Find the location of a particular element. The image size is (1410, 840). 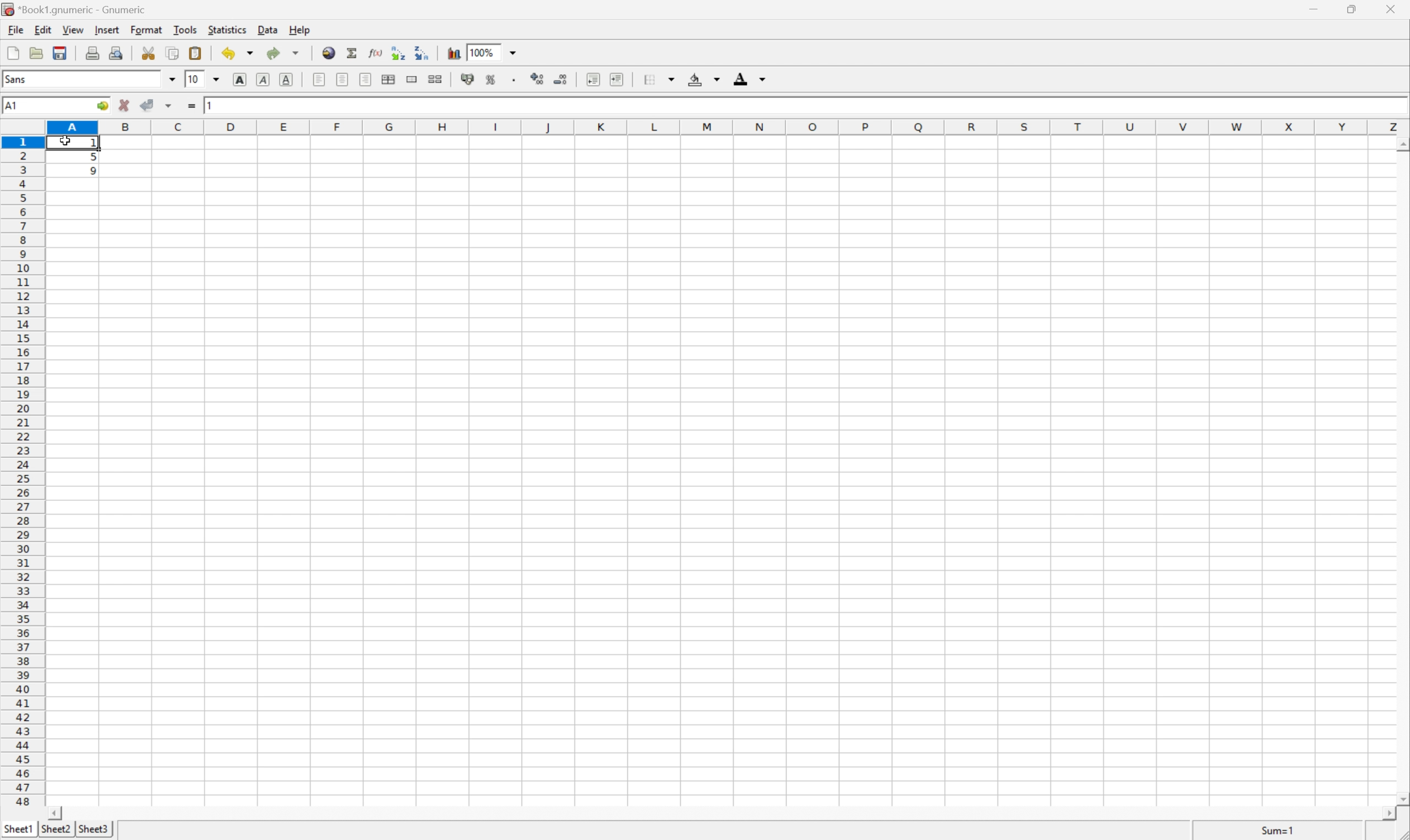

scroll up is located at coordinates (1401, 145).